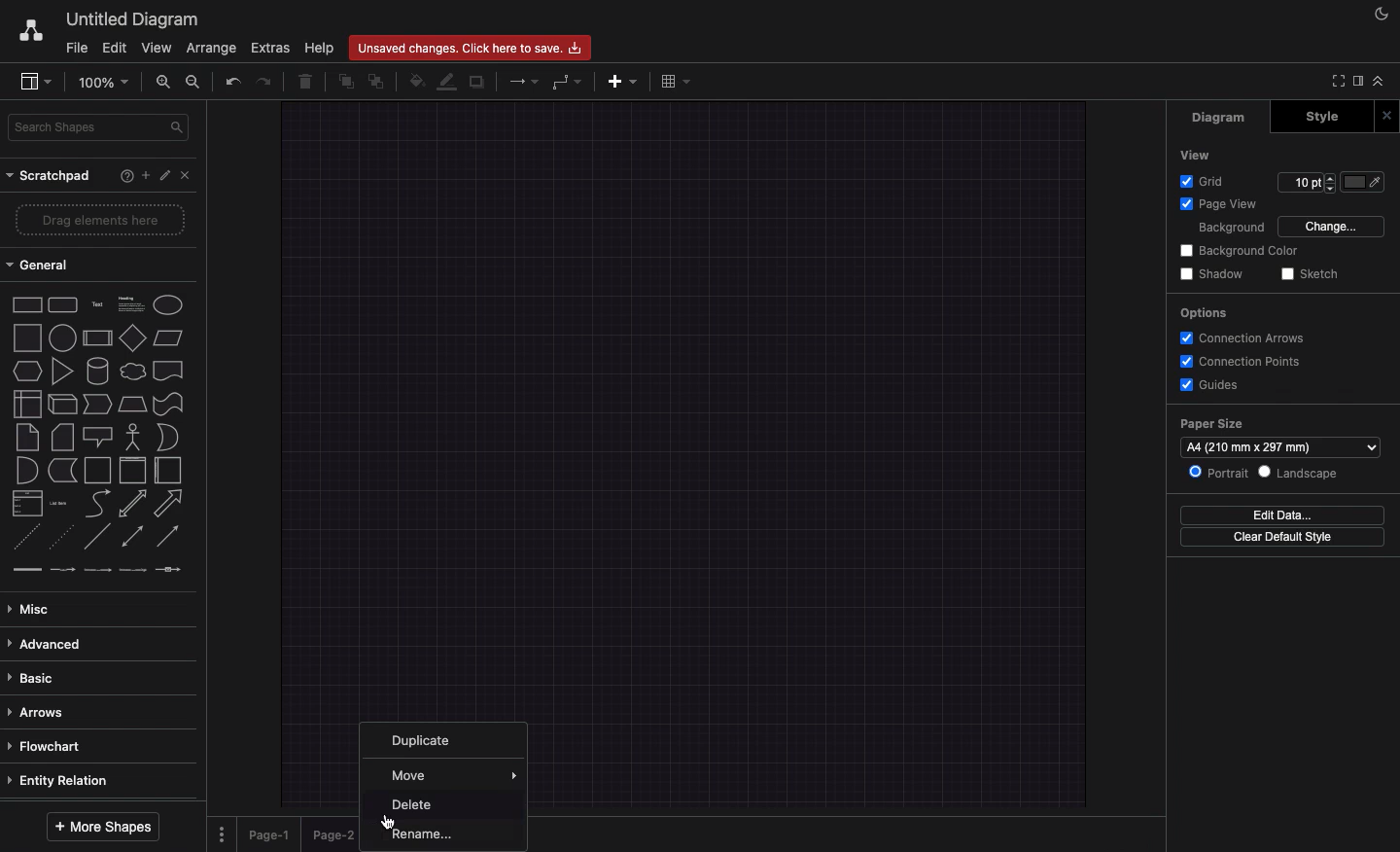 The height and width of the screenshot is (852, 1400). I want to click on Unsaved changes. click here to save., so click(470, 48).